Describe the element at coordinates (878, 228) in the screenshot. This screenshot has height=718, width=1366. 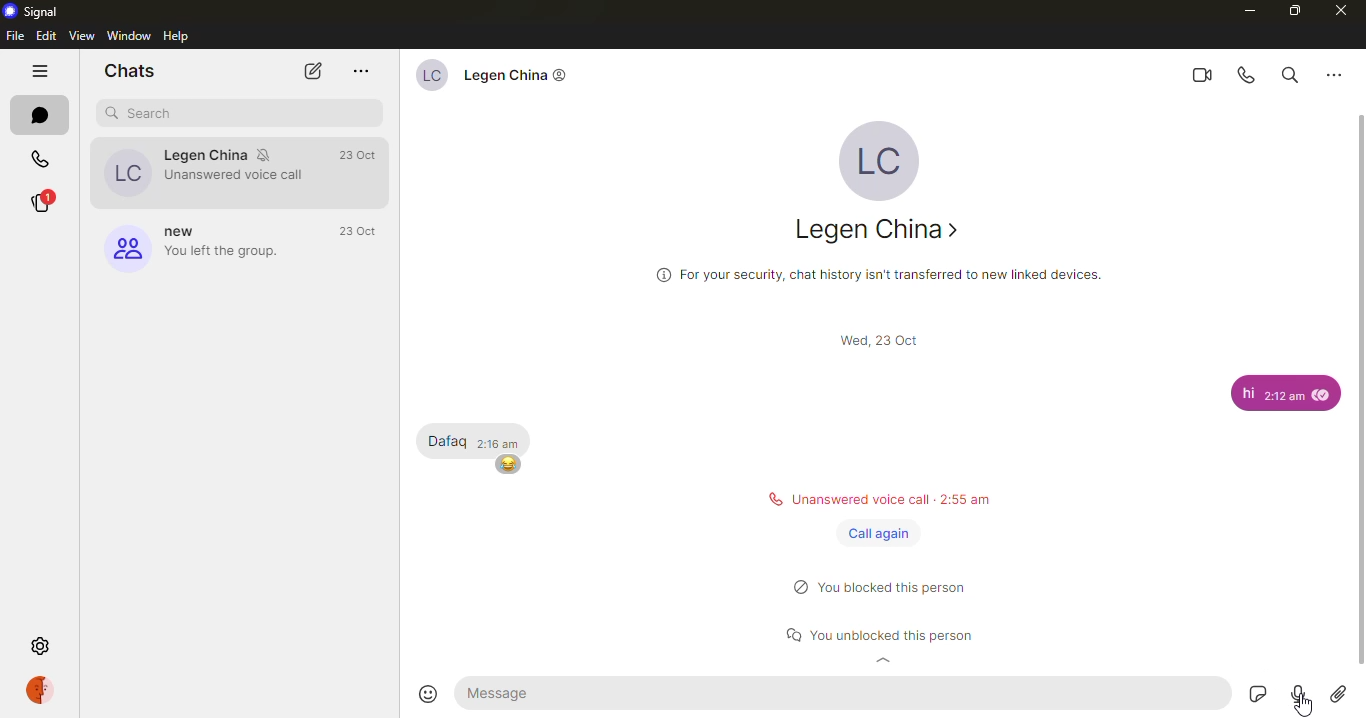
I see `contact` at that location.